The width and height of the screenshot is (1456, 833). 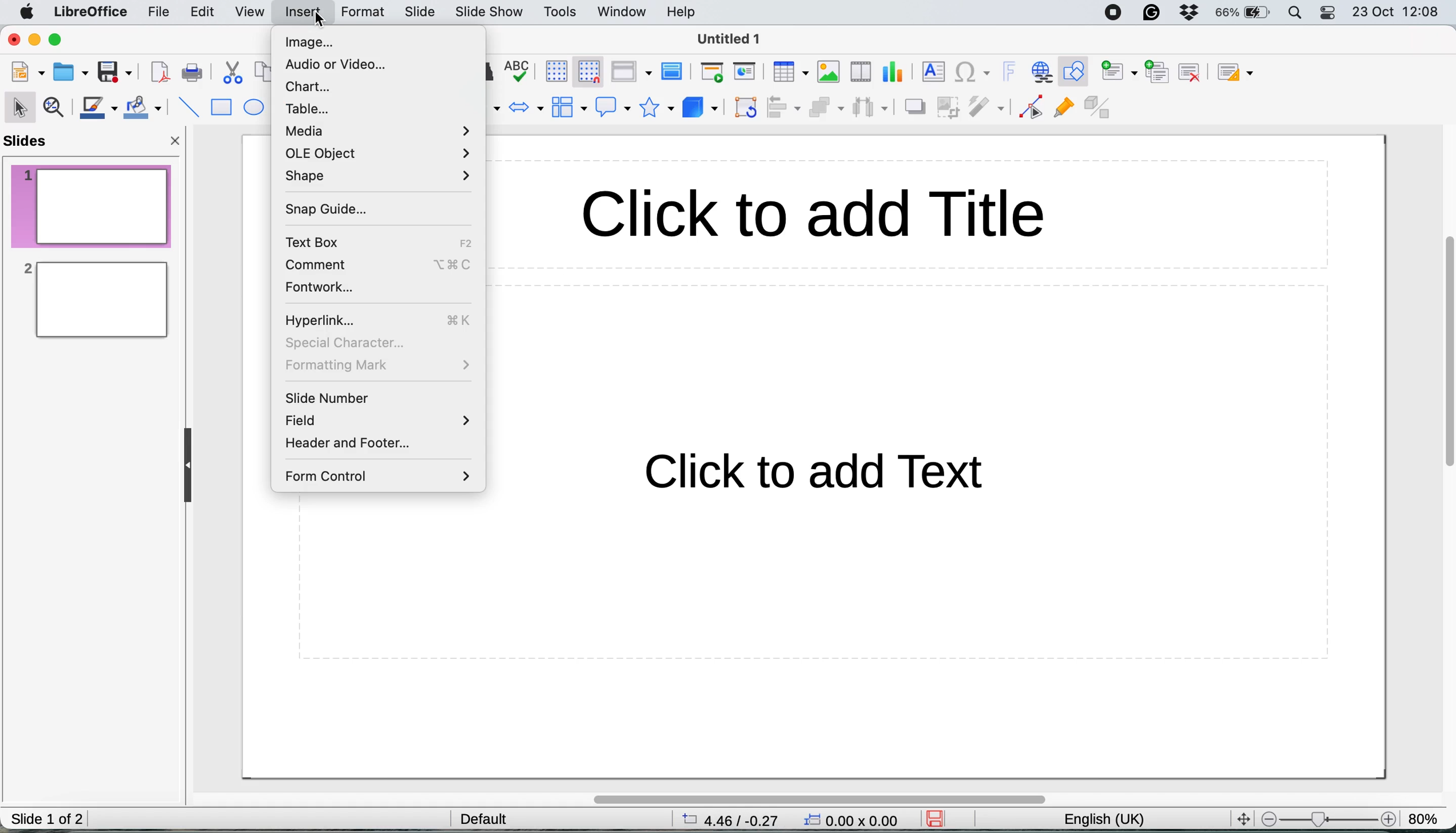 What do you see at coordinates (1442, 363) in the screenshot?
I see `vertical scroll bar` at bounding box center [1442, 363].